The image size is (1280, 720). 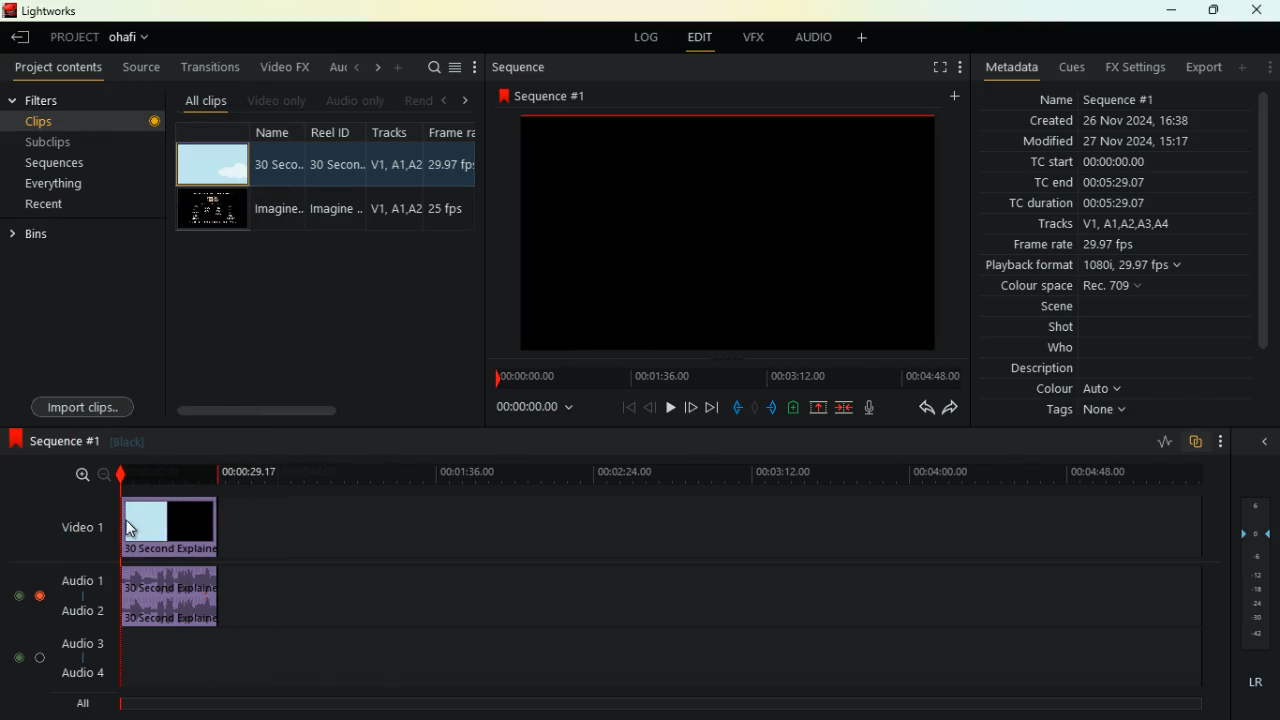 What do you see at coordinates (815, 40) in the screenshot?
I see `audio` at bounding box center [815, 40].